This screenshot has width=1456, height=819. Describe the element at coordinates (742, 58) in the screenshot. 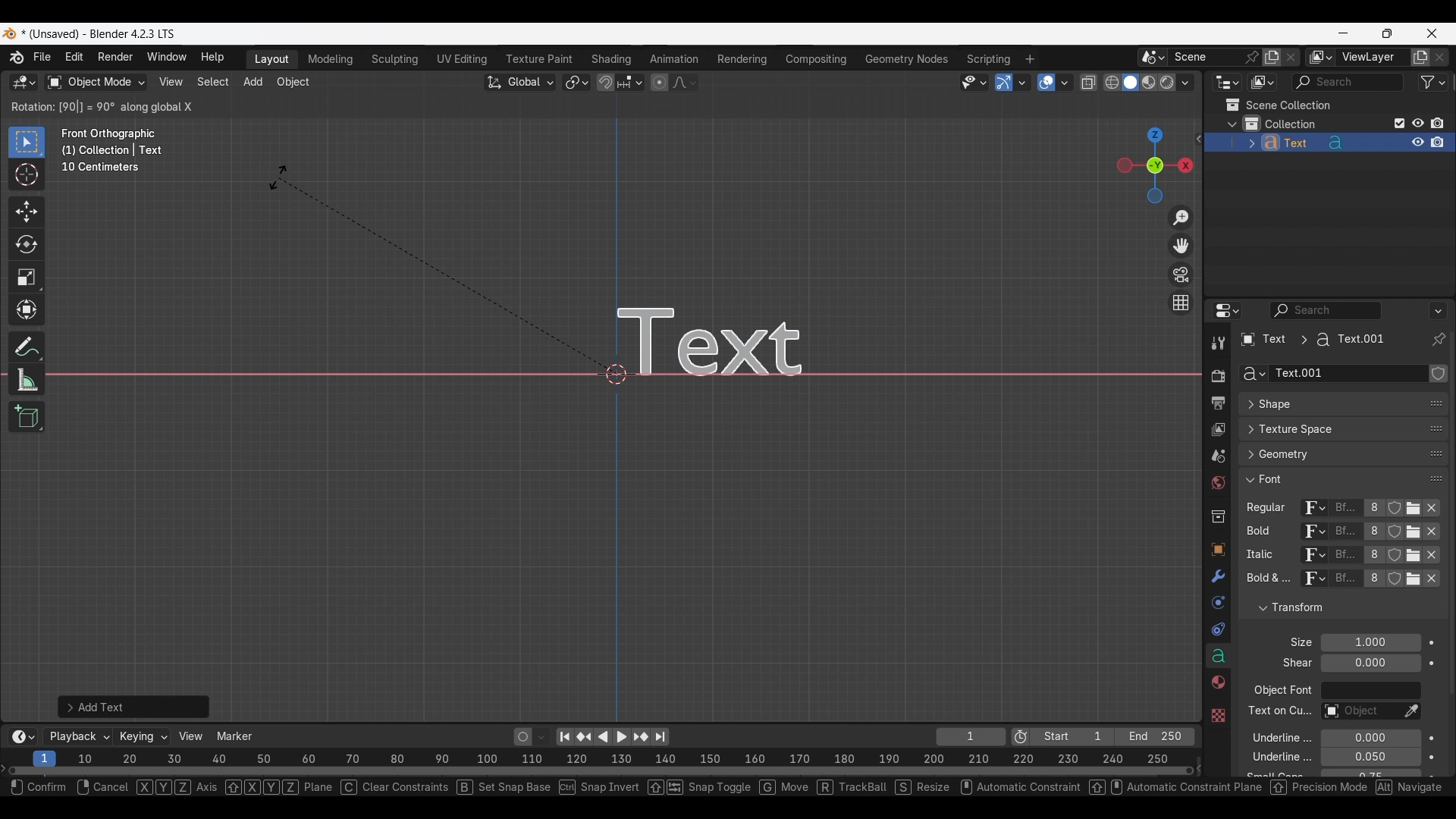

I see `Rendering workspace` at that location.